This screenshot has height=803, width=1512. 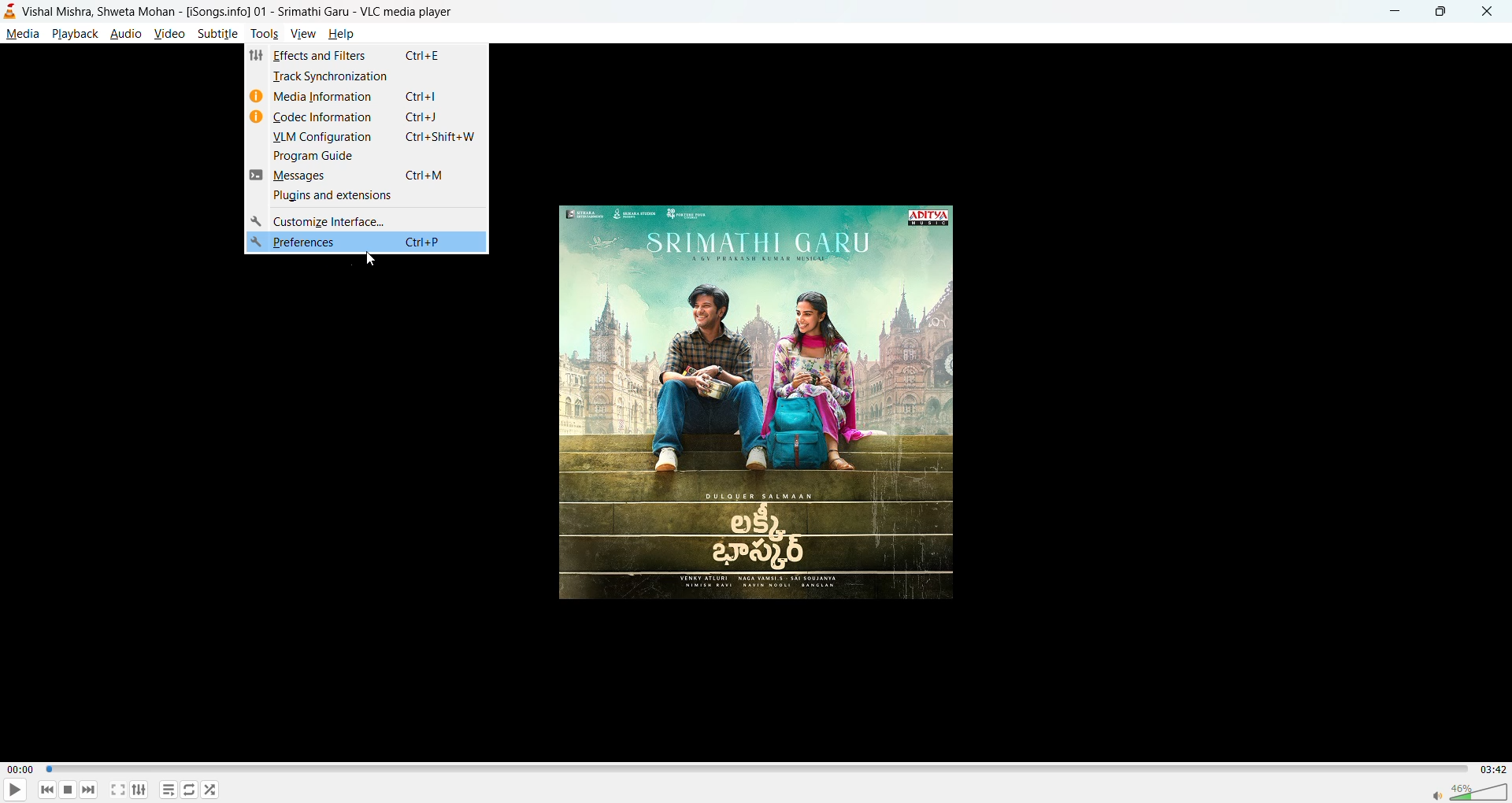 What do you see at coordinates (324, 58) in the screenshot?
I see `effects and filters` at bounding box center [324, 58].